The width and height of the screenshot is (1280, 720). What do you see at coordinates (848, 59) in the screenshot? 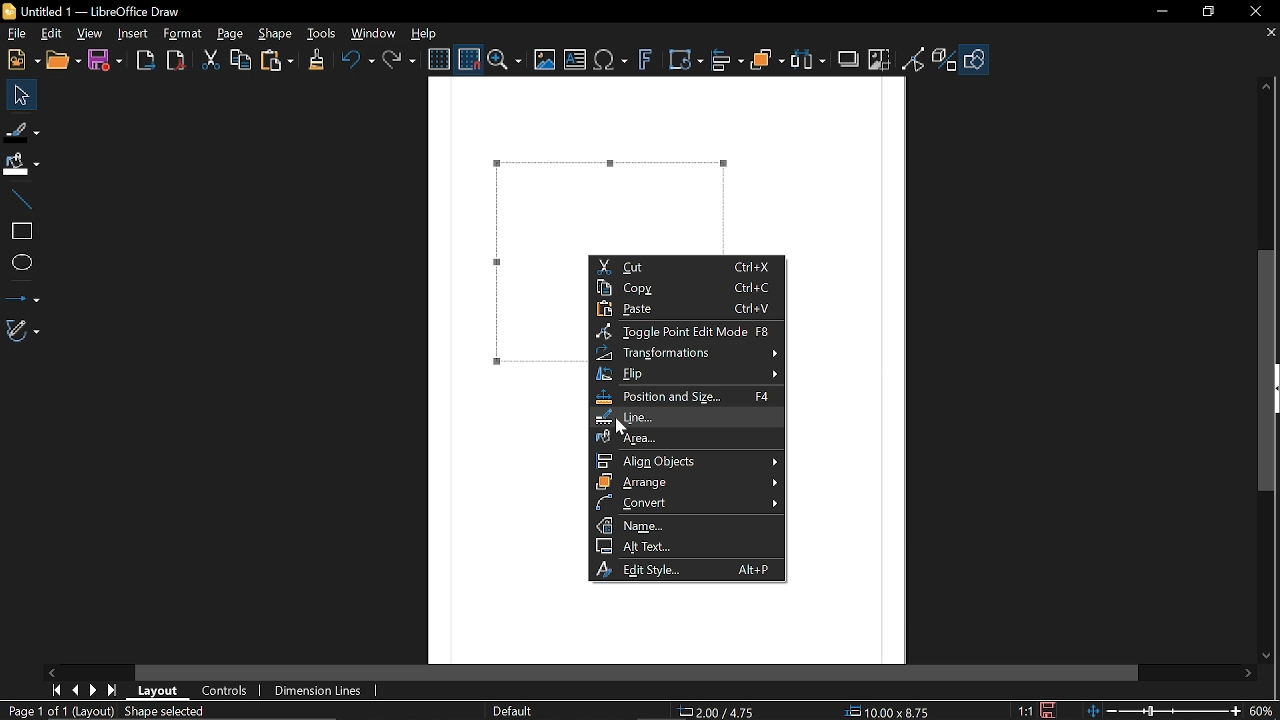
I see `Shadow` at bounding box center [848, 59].